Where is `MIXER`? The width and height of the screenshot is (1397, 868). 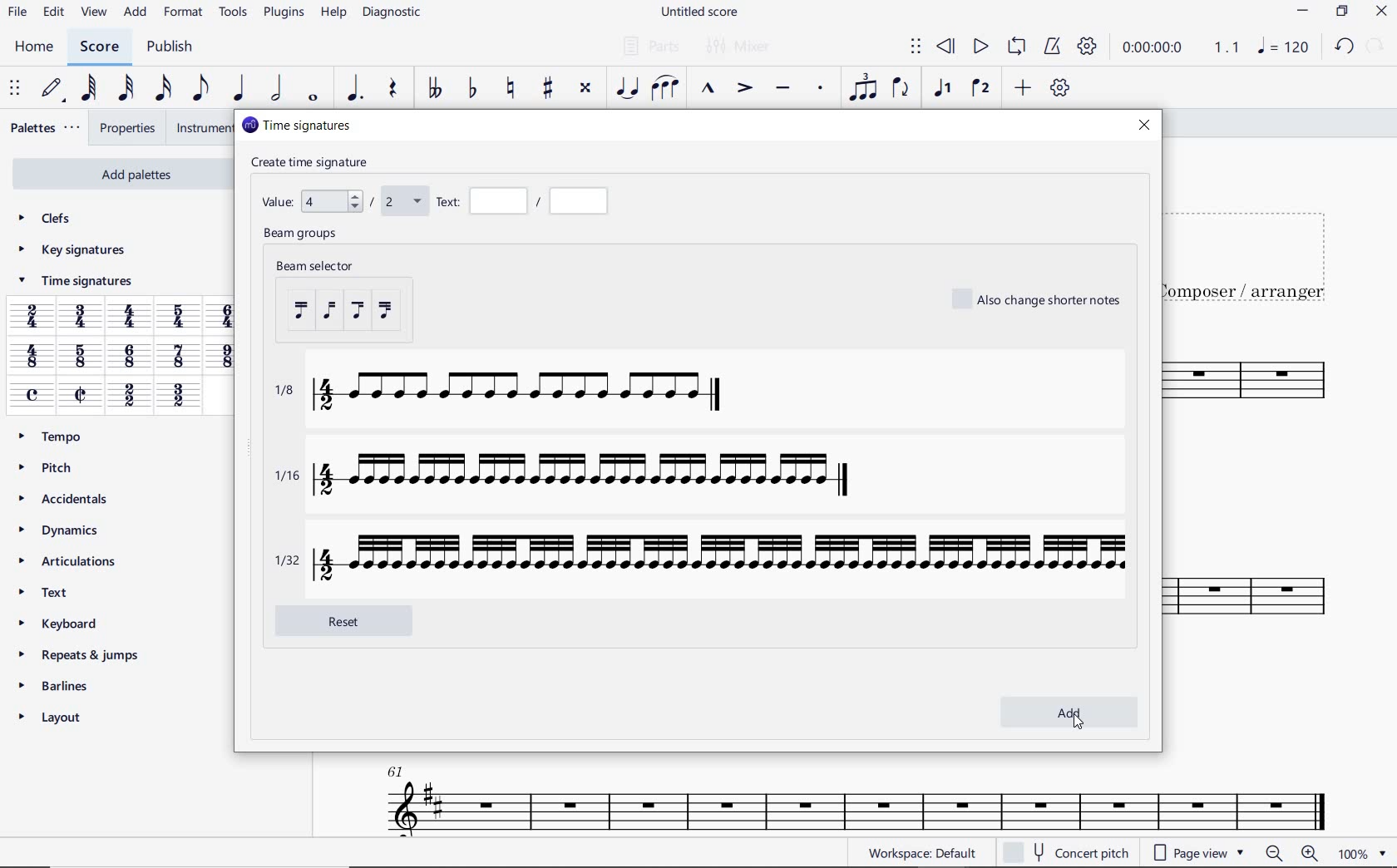
MIXER is located at coordinates (740, 47).